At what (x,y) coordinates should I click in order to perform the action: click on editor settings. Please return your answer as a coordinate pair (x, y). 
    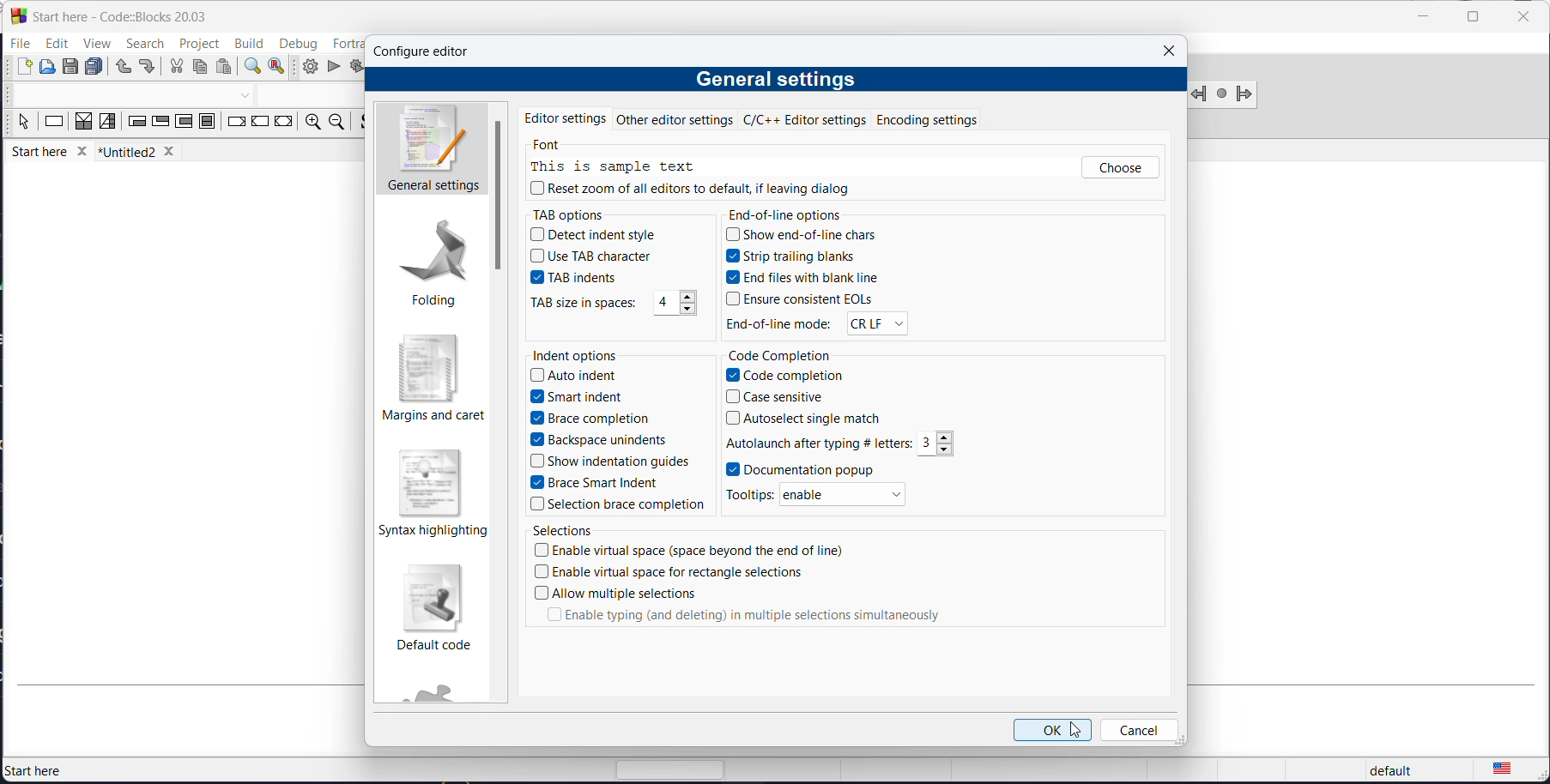
    Looking at the image, I should click on (566, 117).